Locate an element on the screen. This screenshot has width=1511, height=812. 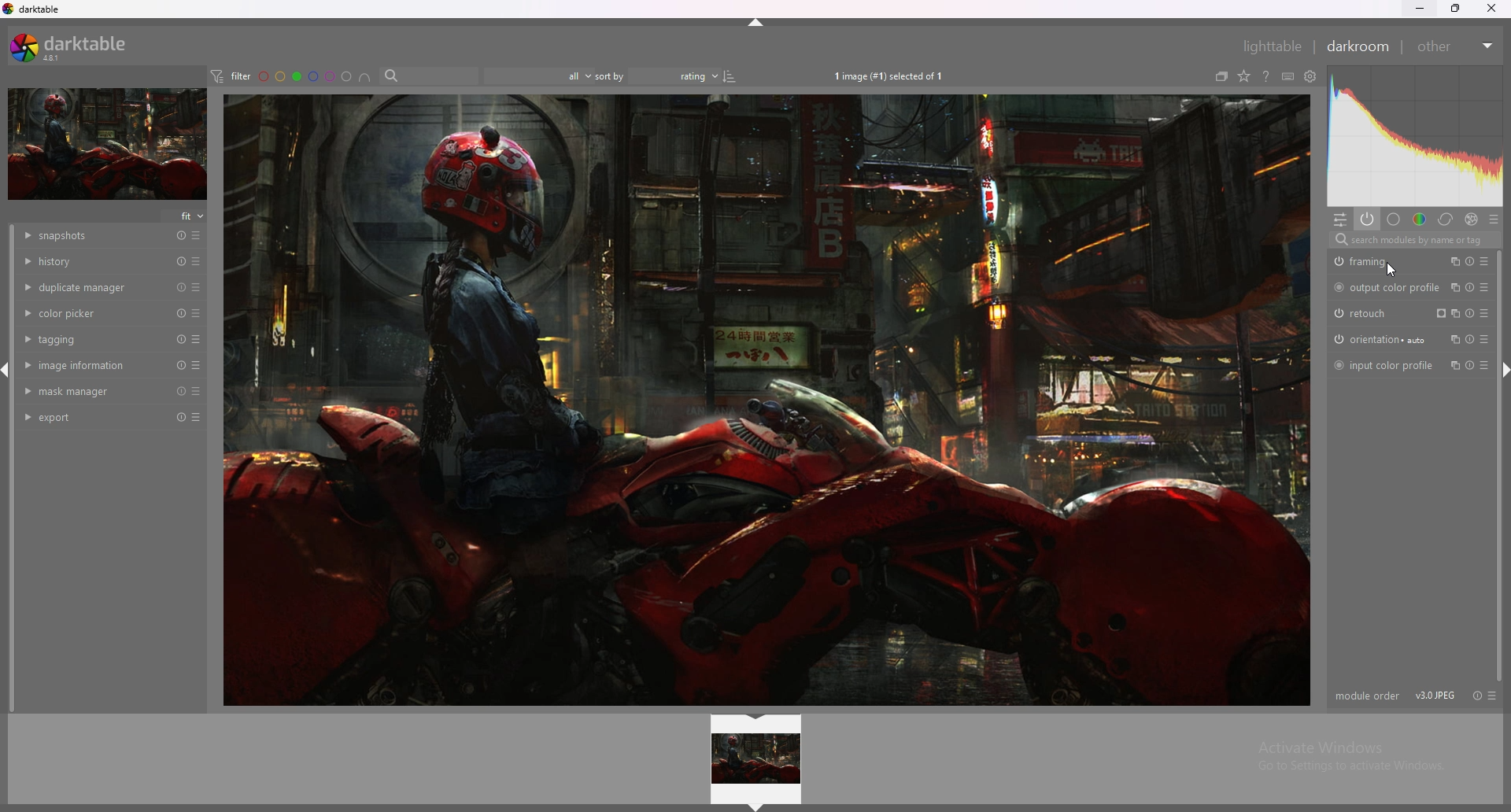
reset and preset is located at coordinates (1480, 313).